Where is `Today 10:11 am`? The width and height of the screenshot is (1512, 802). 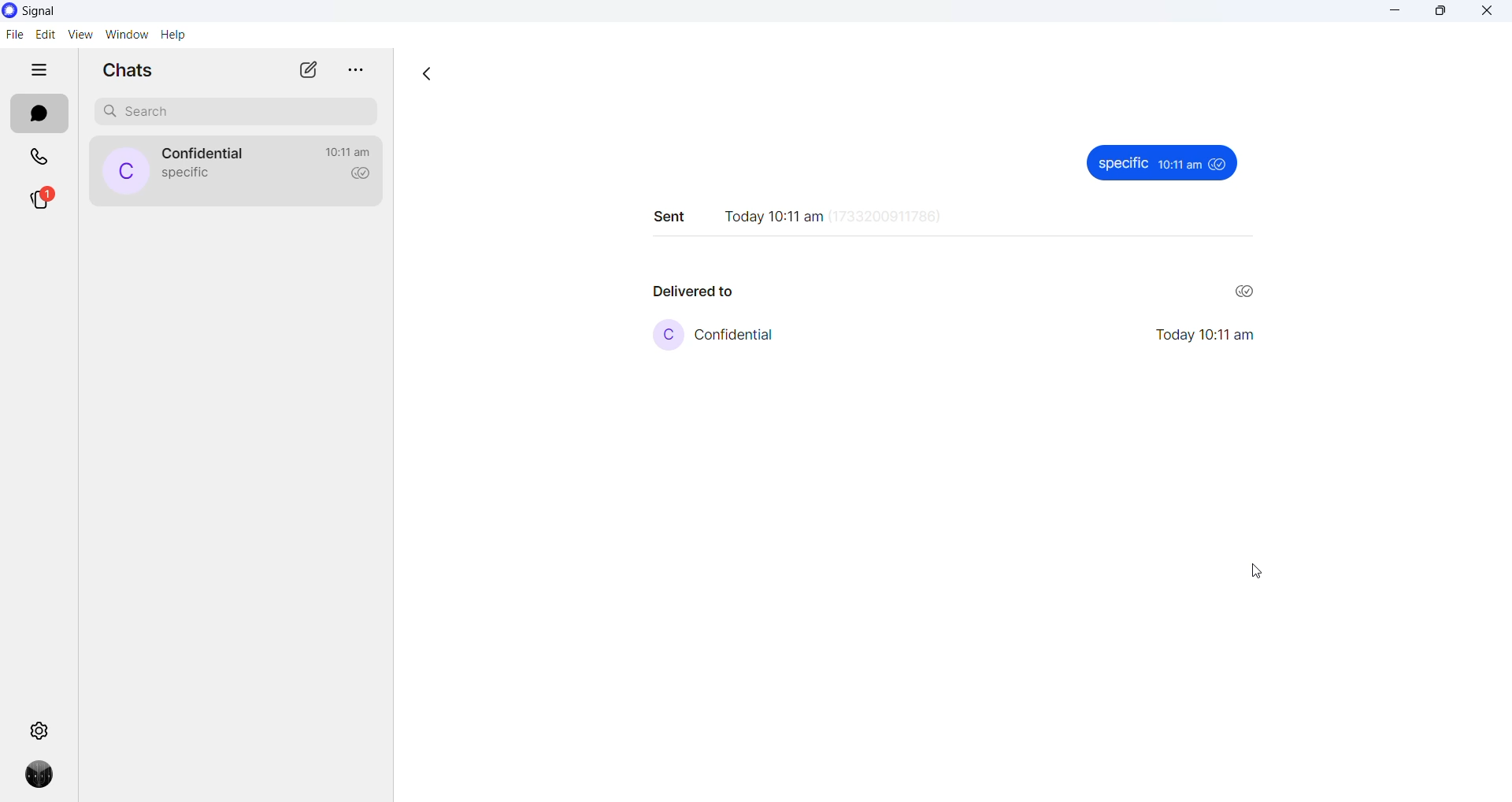
Today 10:11 am is located at coordinates (1210, 332).